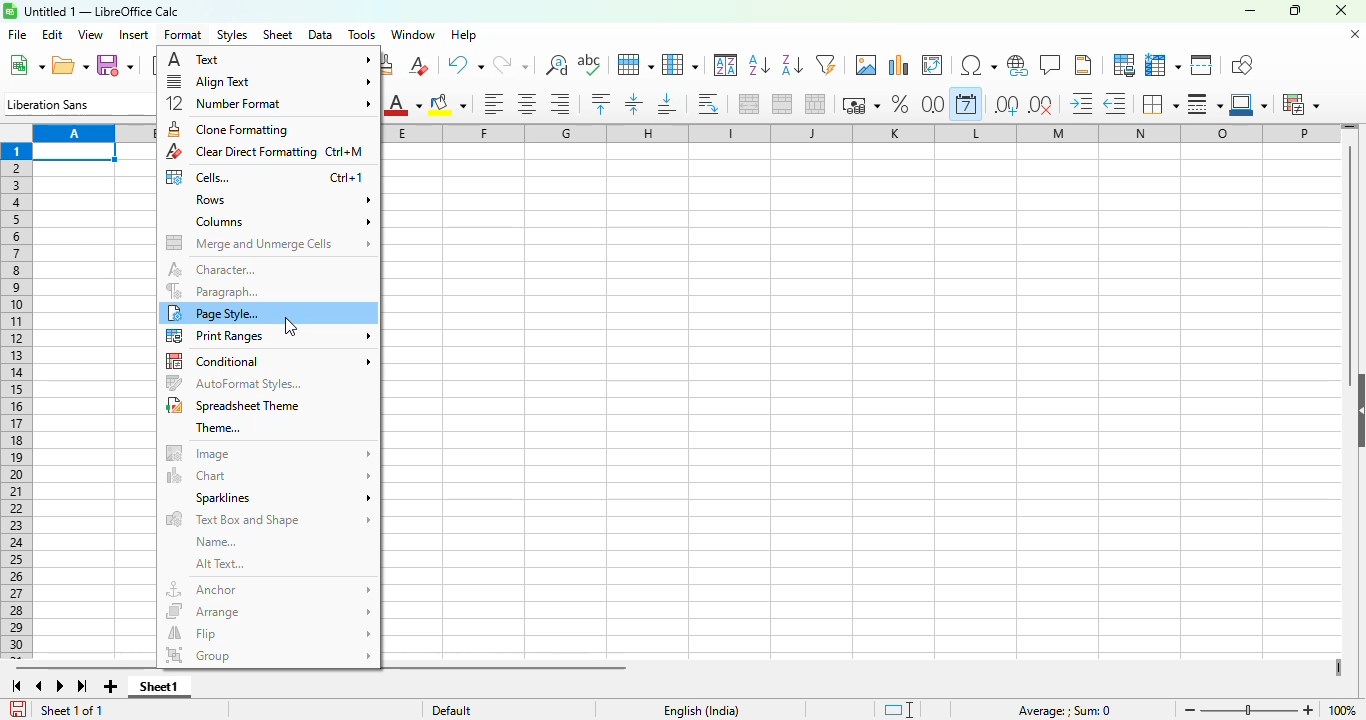 The image size is (1366, 720). Describe the element at coordinates (231, 129) in the screenshot. I see `clone formatting` at that location.